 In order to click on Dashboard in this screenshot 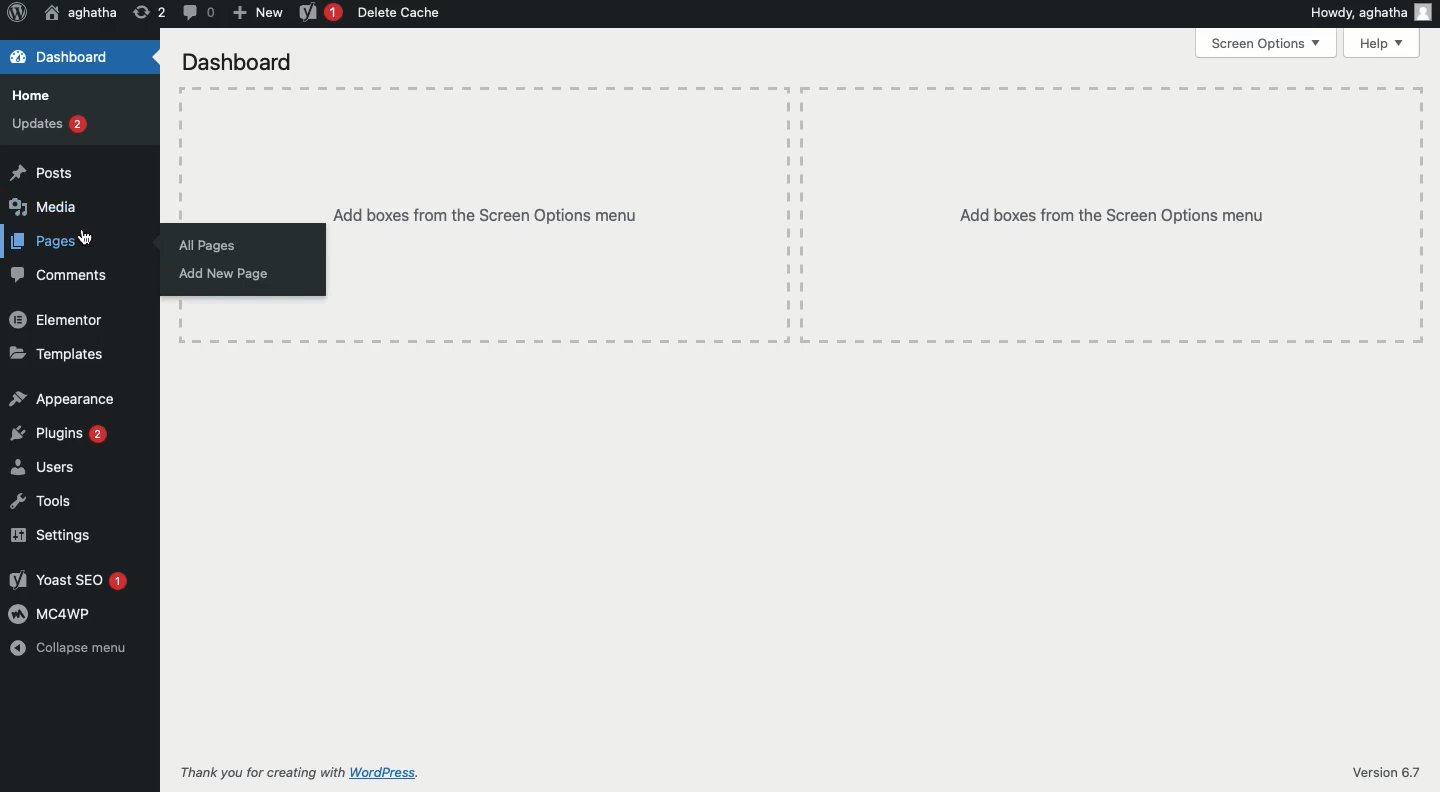, I will do `click(238, 63)`.